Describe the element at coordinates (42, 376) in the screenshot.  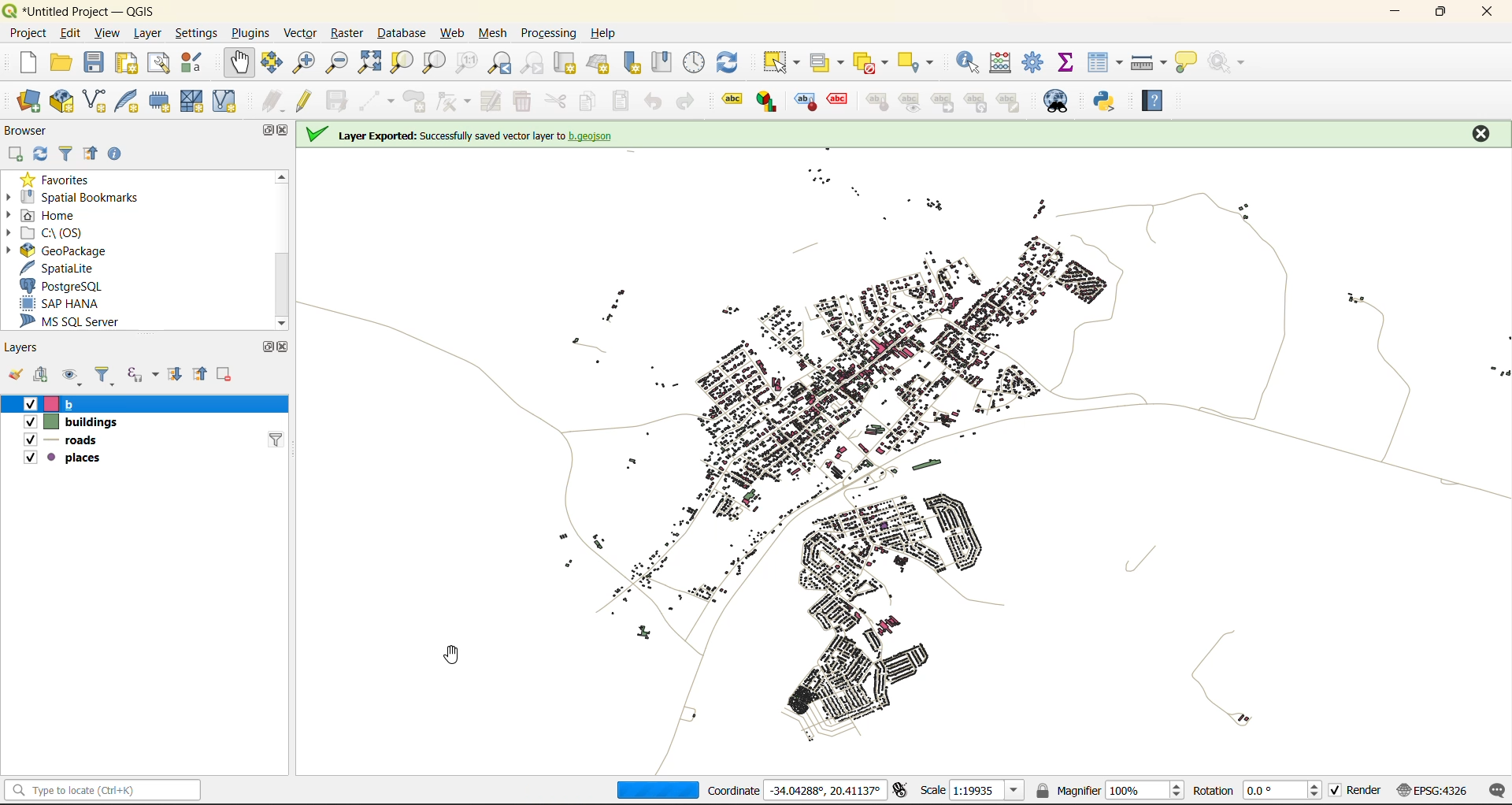
I see `add` at that location.